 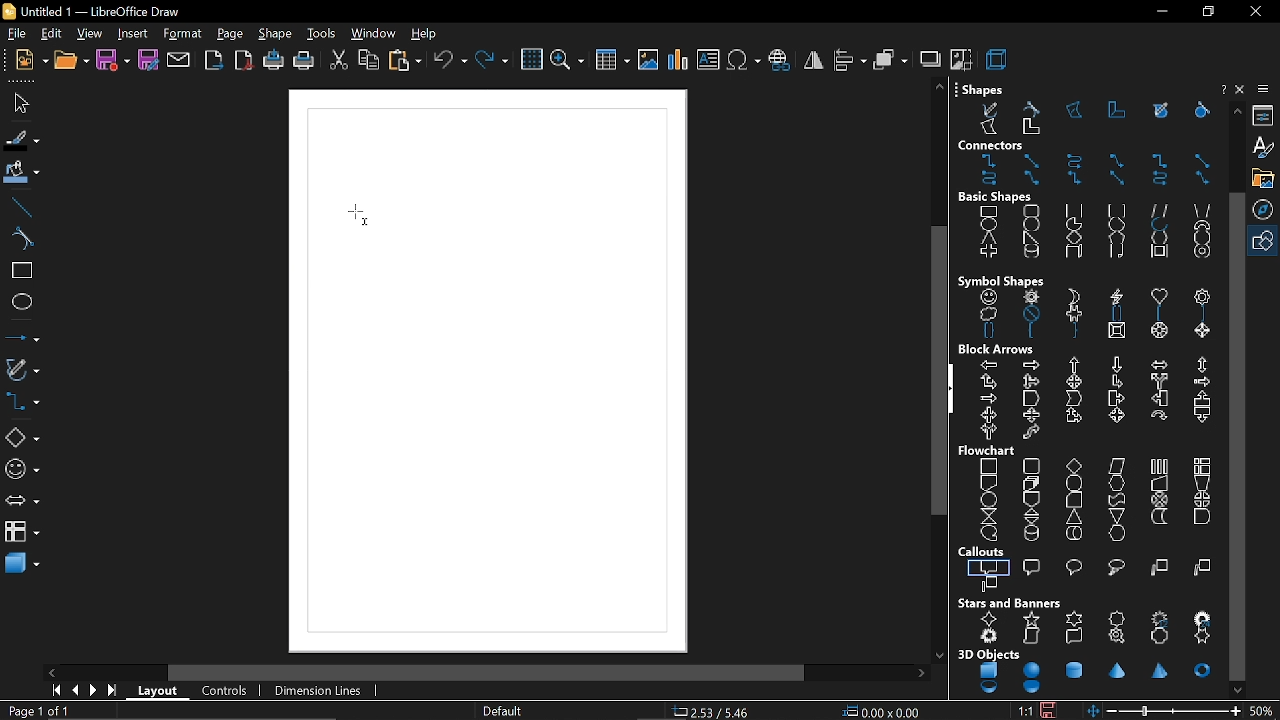 I want to click on save, so click(x=114, y=62).